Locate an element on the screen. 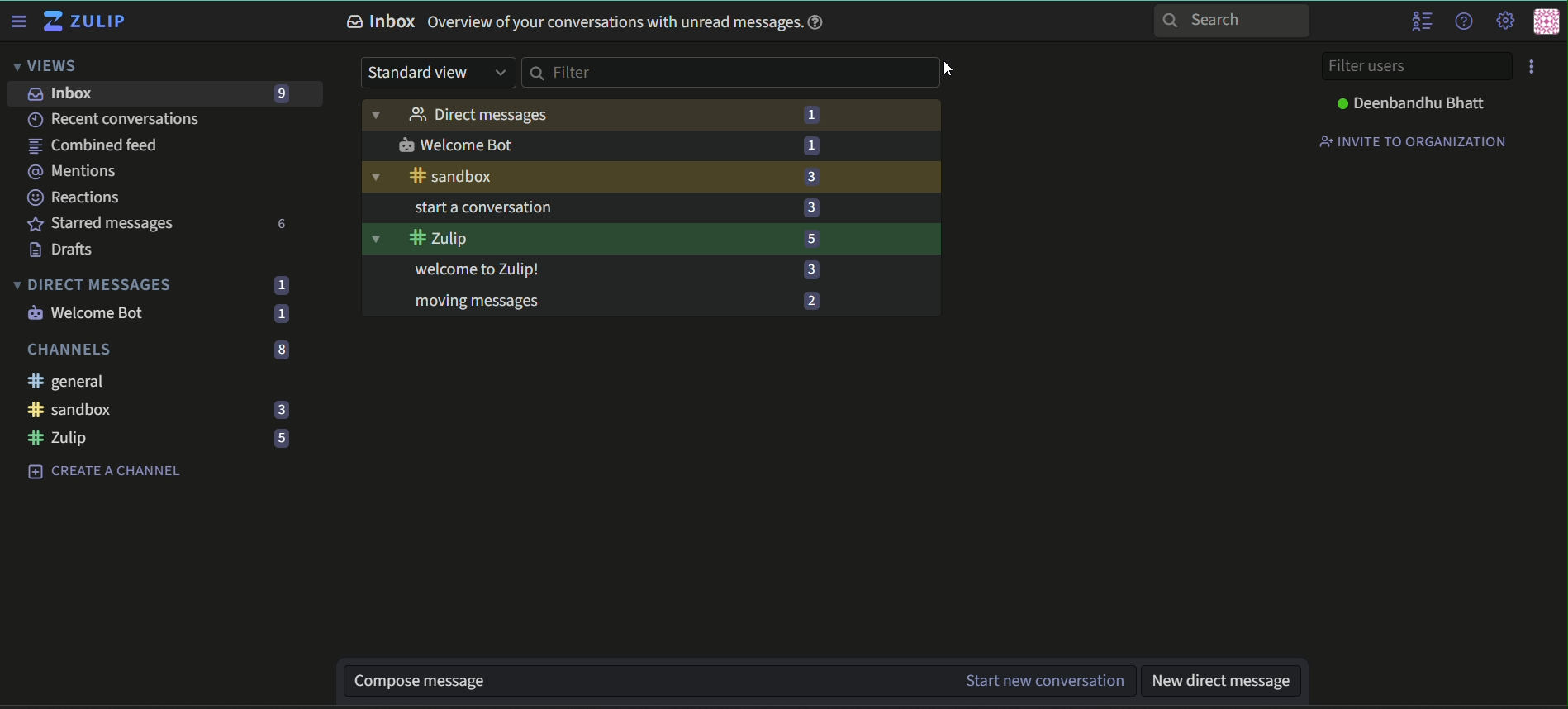 The height and width of the screenshot is (709, 1568). Zulip is located at coordinates (86, 21).